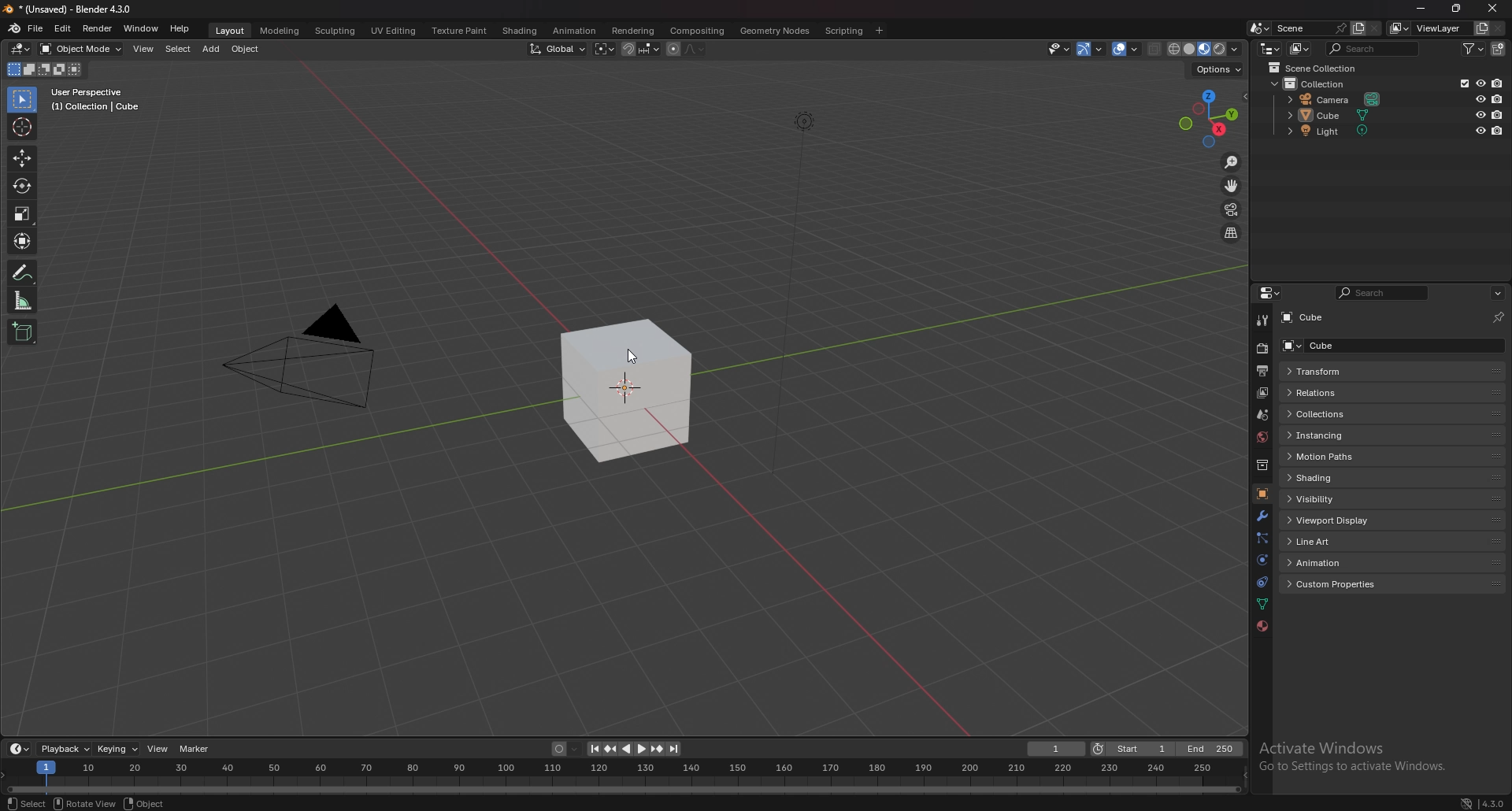 The height and width of the screenshot is (811, 1512). What do you see at coordinates (24, 240) in the screenshot?
I see `transform` at bounding box center [24, 240].